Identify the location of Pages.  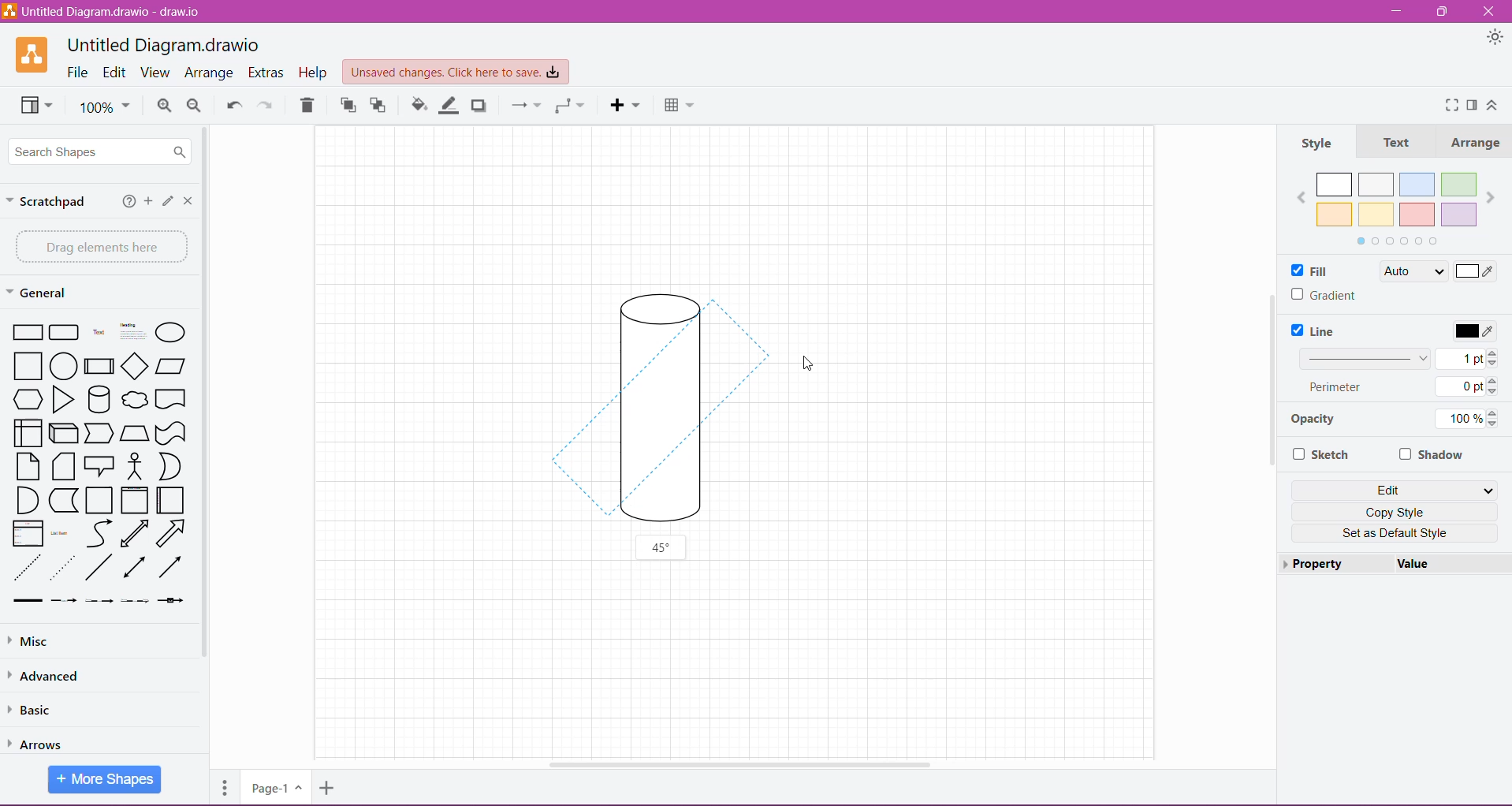
(223, 791).